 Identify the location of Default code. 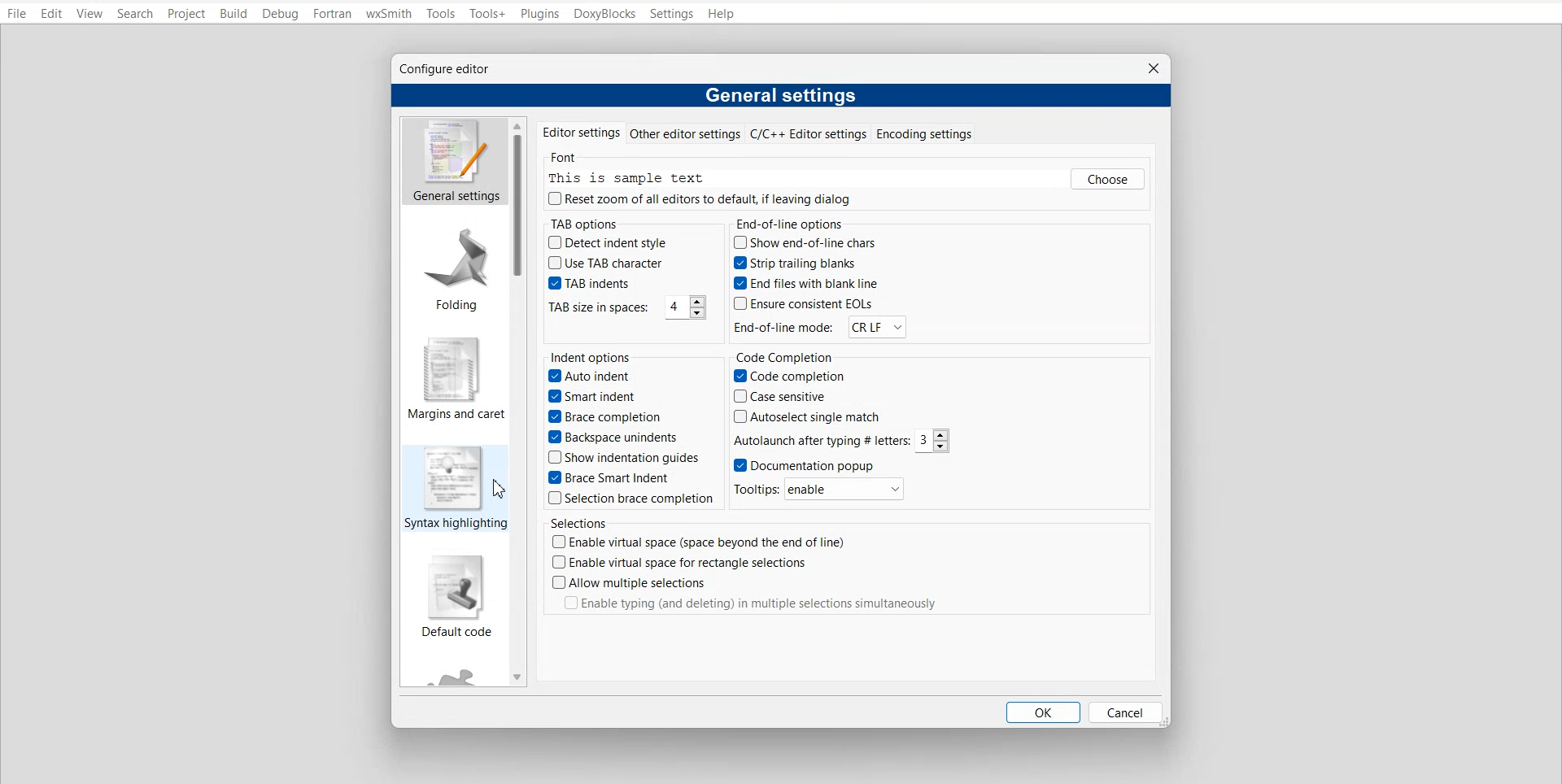
(452, 597).